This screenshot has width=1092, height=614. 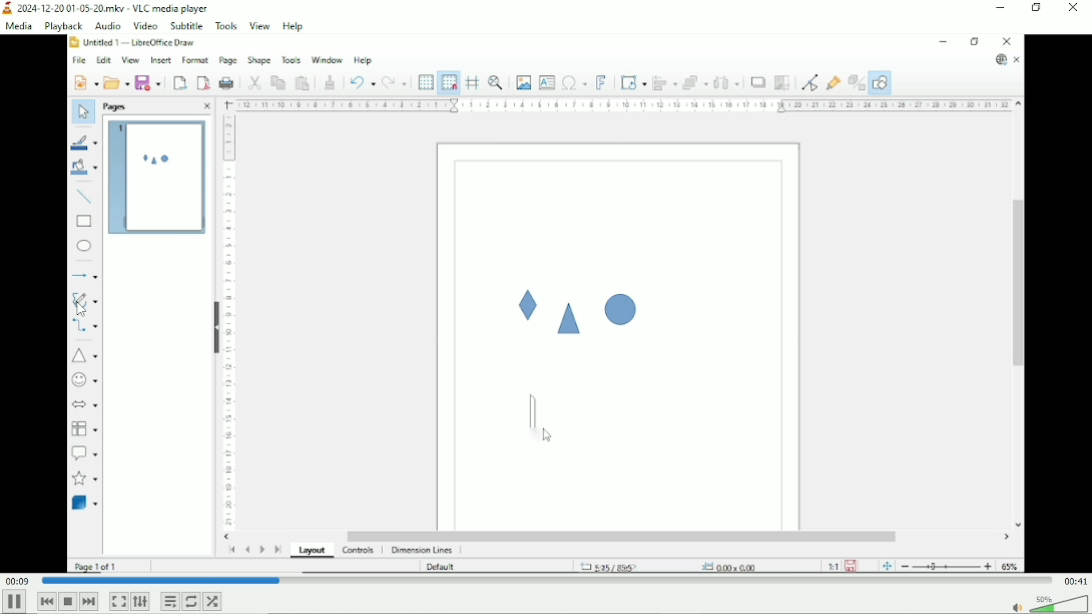 What do you see at coordinates (293, 26) in the screenshot?
I see `Help` at bounding box center [293, 26].